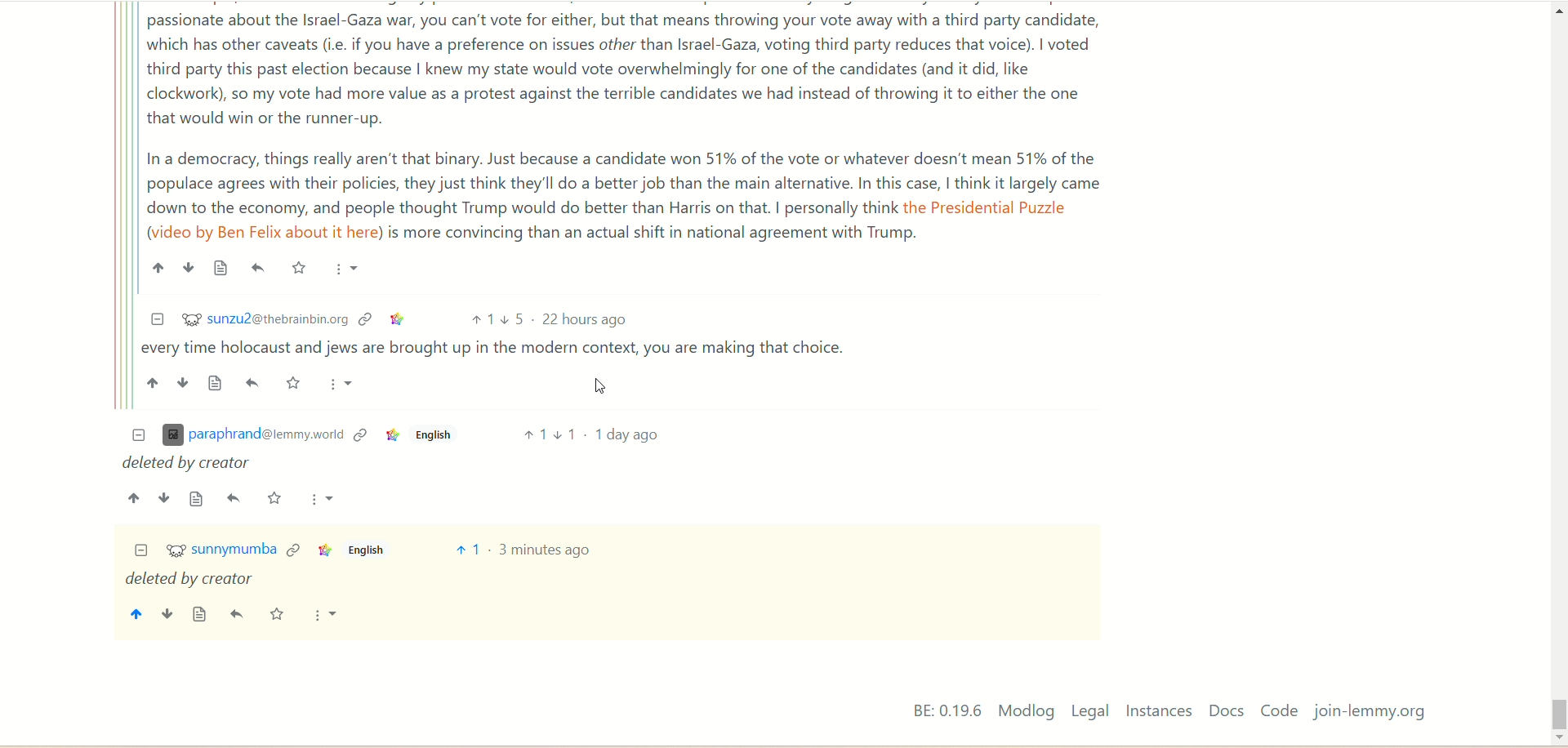 This screenshot has width=1568, height=748. What do you see at coordinates (164, 498) in the screenshot?
I see `Downvote` at bounding box center [164, 498].